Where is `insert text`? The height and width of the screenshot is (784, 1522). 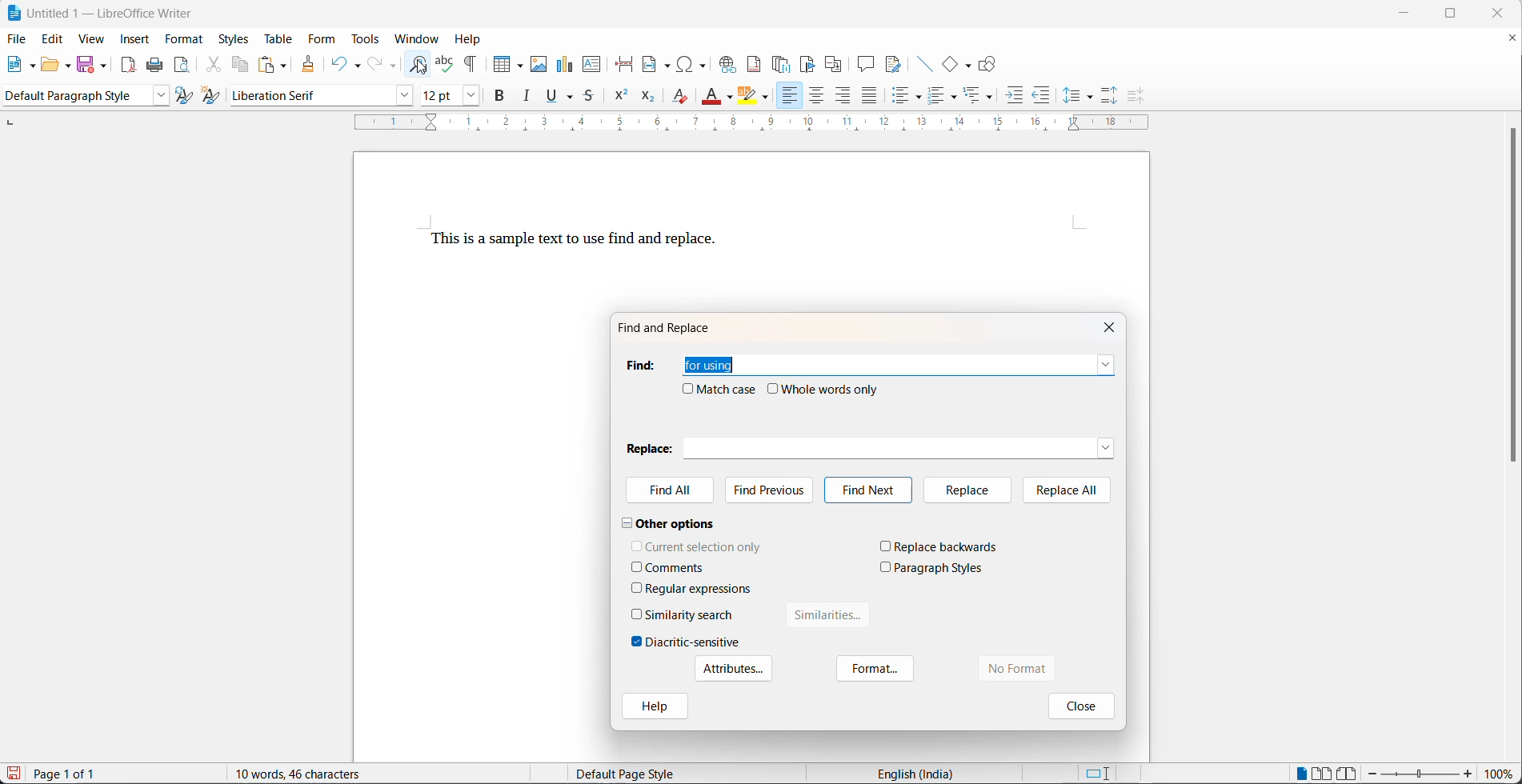 insert text is located at coordinates (593, 66).